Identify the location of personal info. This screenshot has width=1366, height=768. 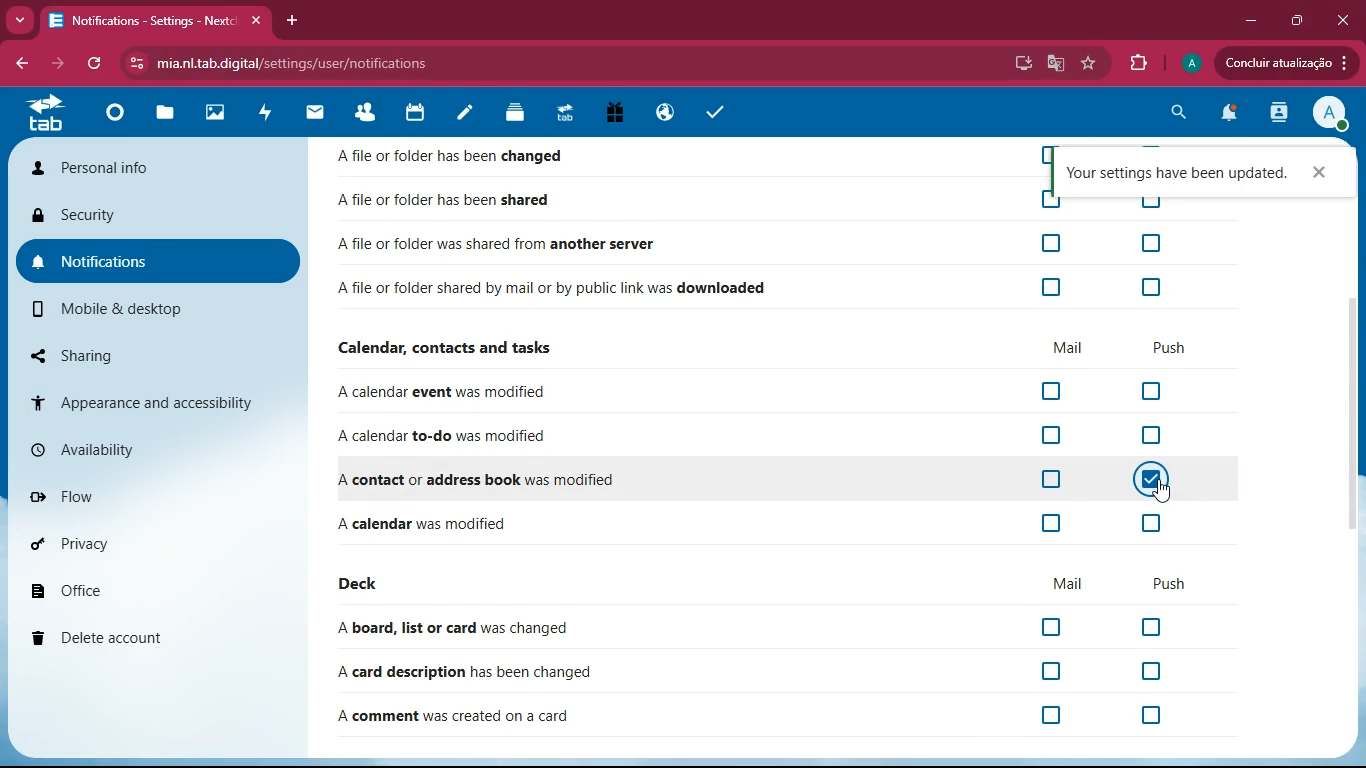
(126, 168).